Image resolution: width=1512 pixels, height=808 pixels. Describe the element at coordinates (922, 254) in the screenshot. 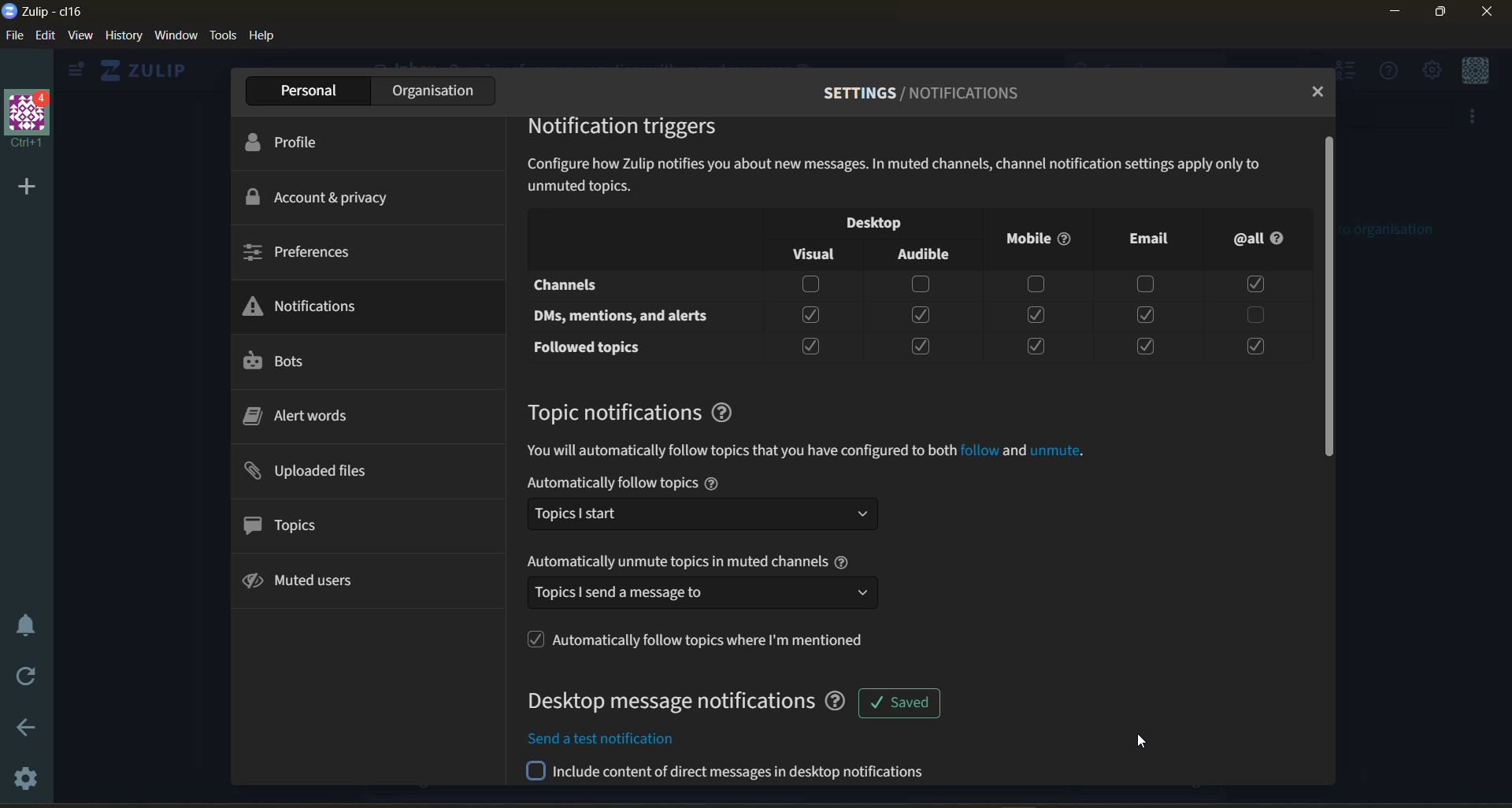

I see `Audible` at that location.